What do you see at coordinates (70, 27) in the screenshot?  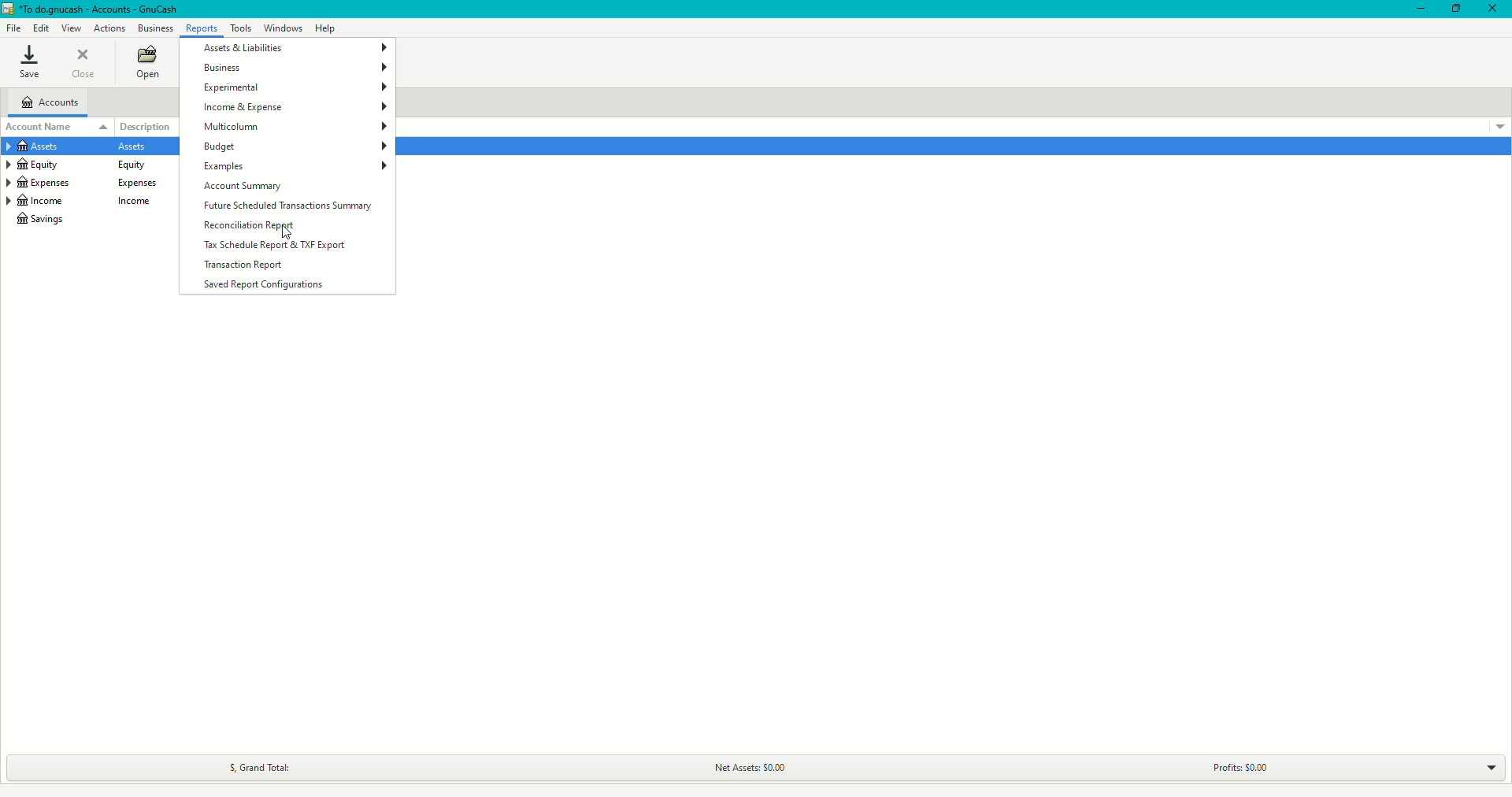 I see `View` at bounding box center [70, 27].